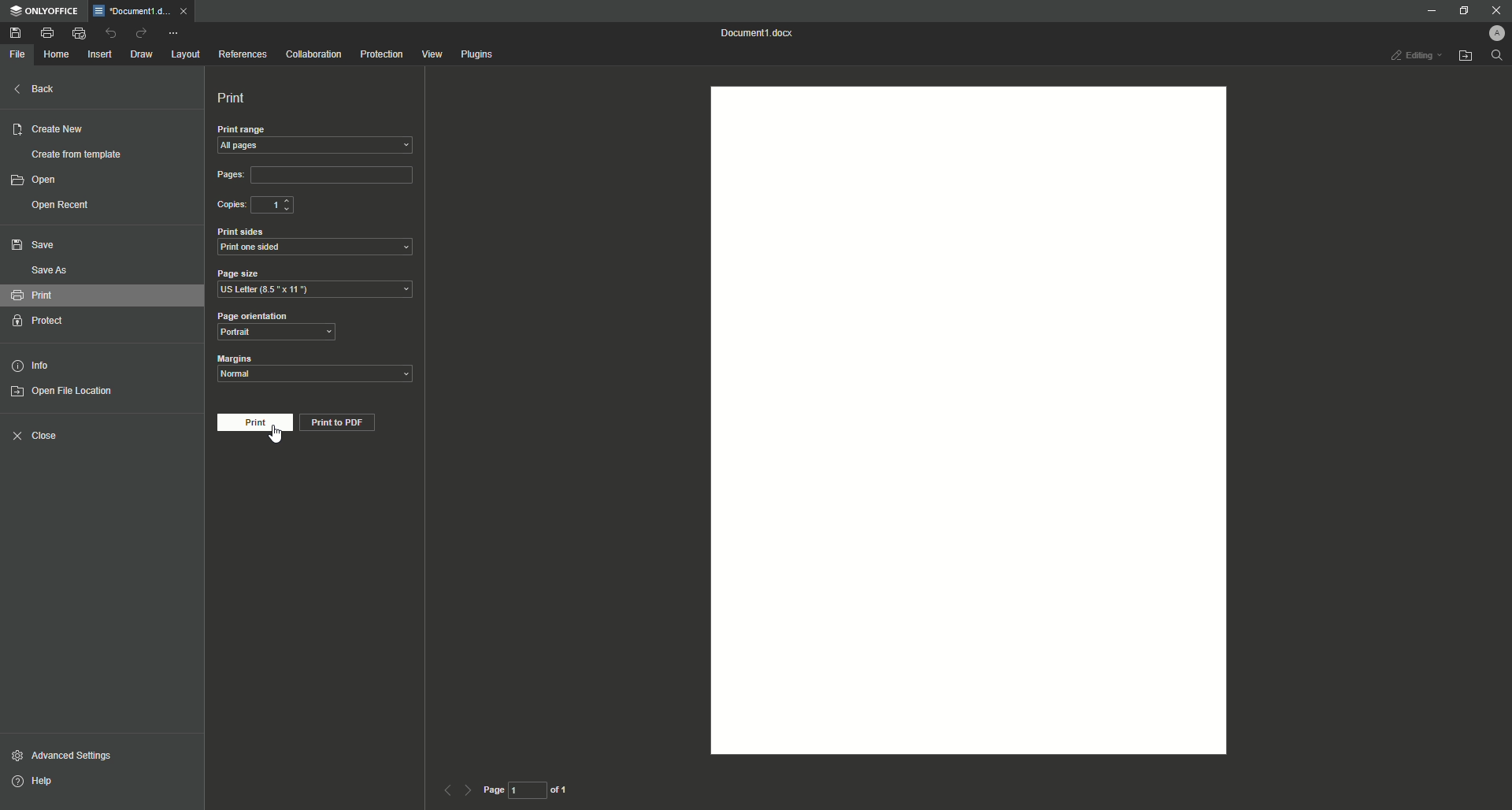 The width and height of the screenshot is (1512, 810). What do you see at coordinates (1495, 11) in the screenshot?
I see `Close` at bounding box center [1495, 11].